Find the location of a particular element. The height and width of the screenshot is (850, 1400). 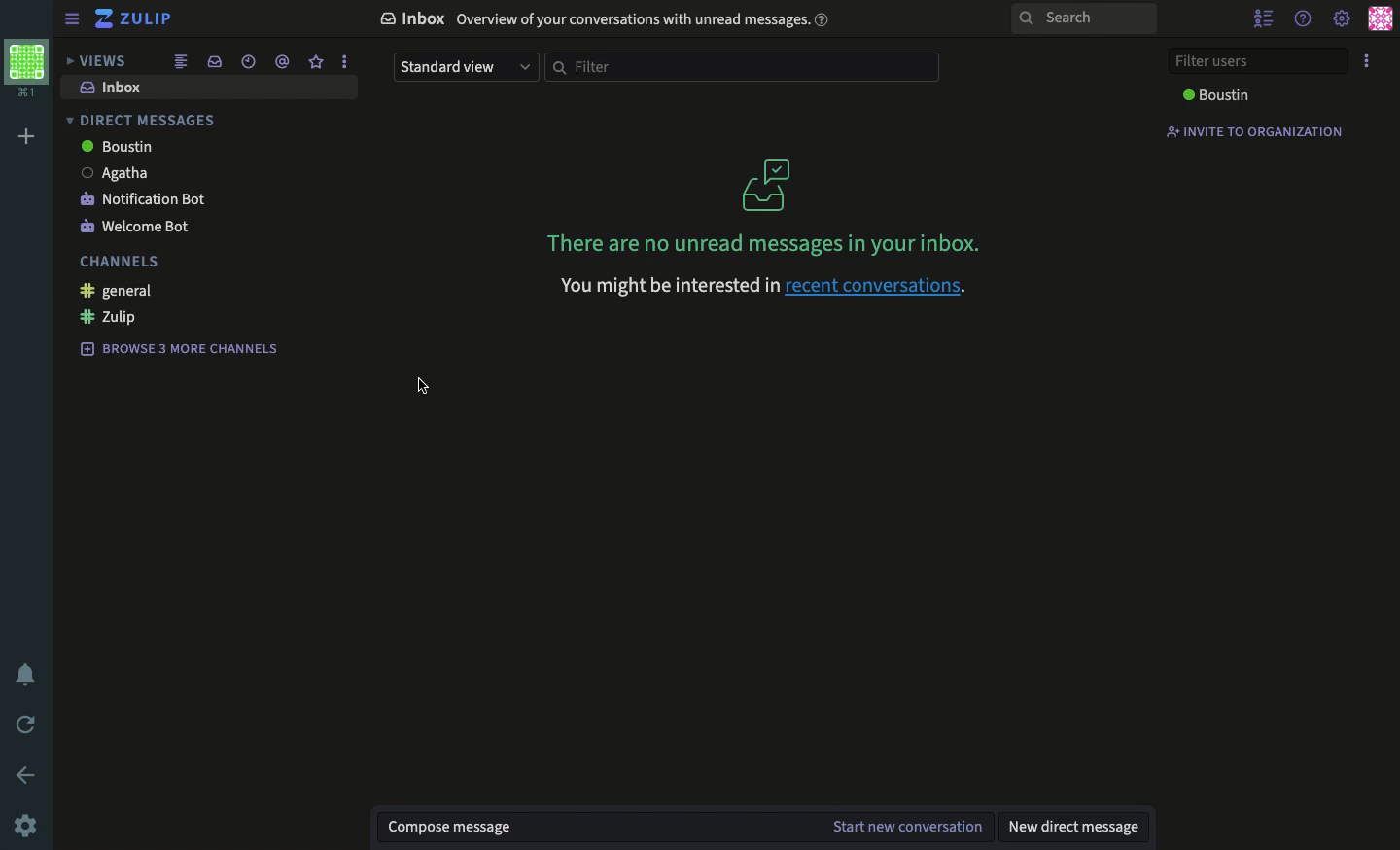

sidebar is located at coordinates (71, 20).